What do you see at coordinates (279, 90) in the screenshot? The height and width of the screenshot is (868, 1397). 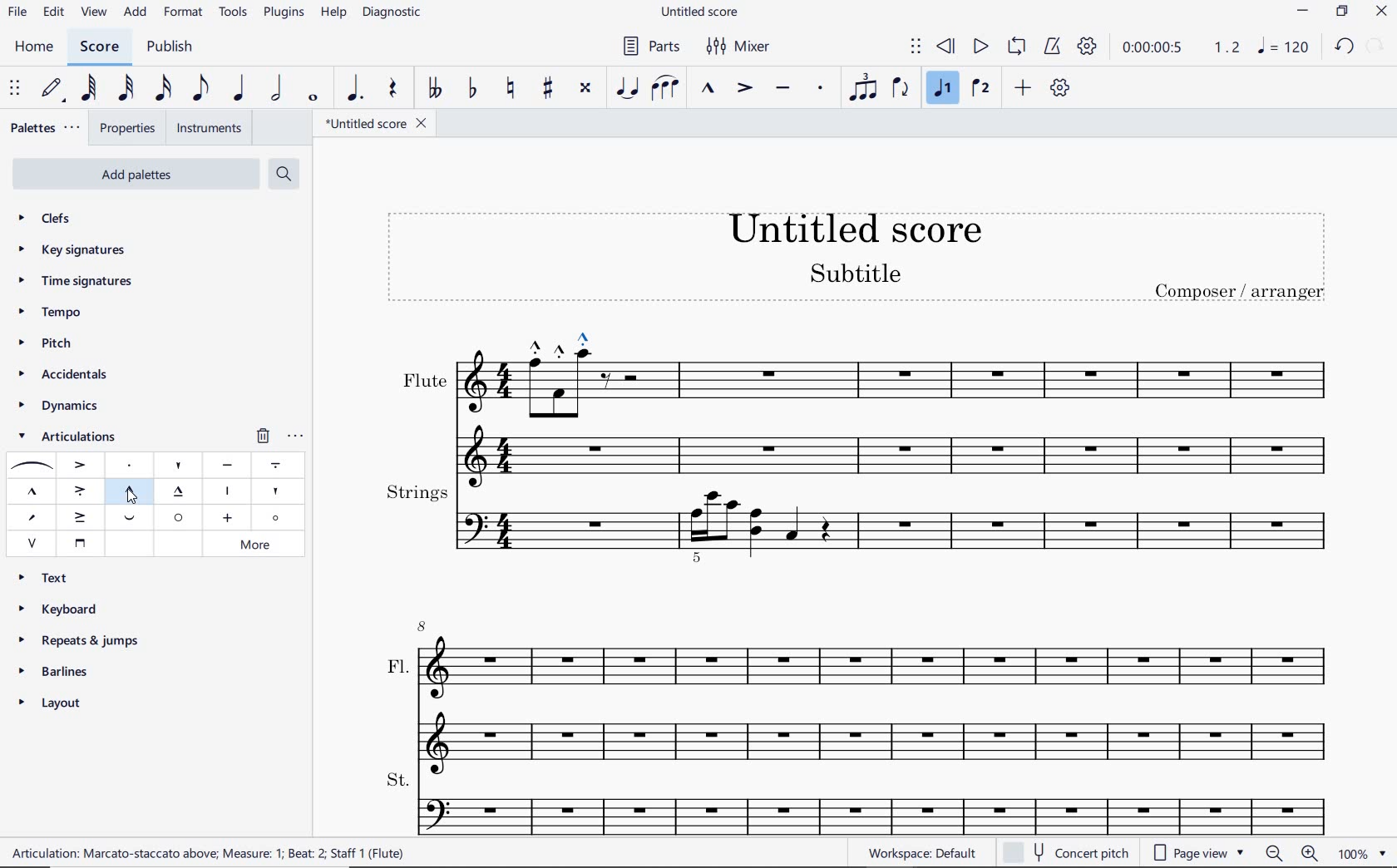 I see `HALF NOTE` at bounding box center [279, 90].